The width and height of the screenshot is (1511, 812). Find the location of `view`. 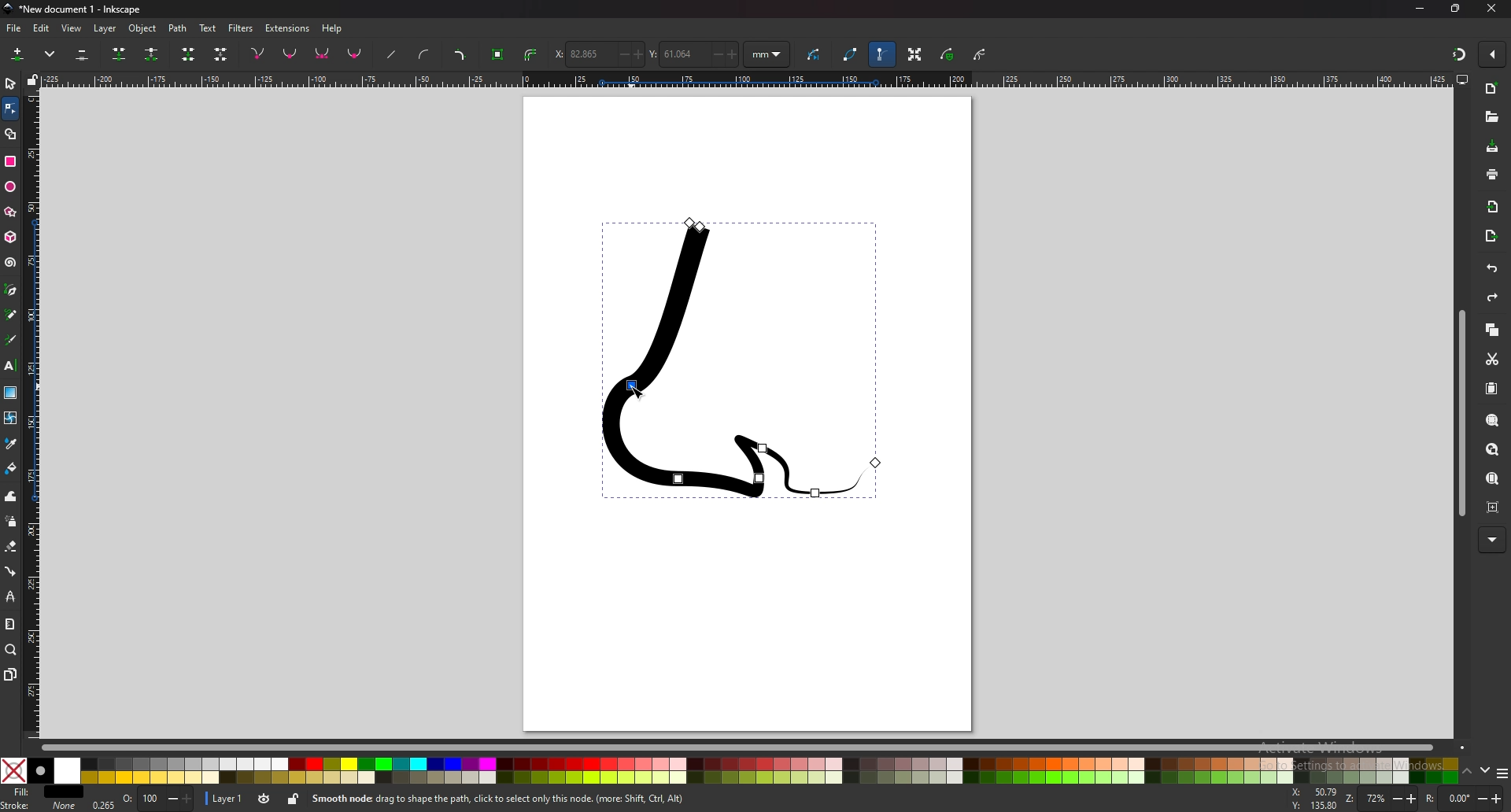

view is located at coordinates (74, 28).